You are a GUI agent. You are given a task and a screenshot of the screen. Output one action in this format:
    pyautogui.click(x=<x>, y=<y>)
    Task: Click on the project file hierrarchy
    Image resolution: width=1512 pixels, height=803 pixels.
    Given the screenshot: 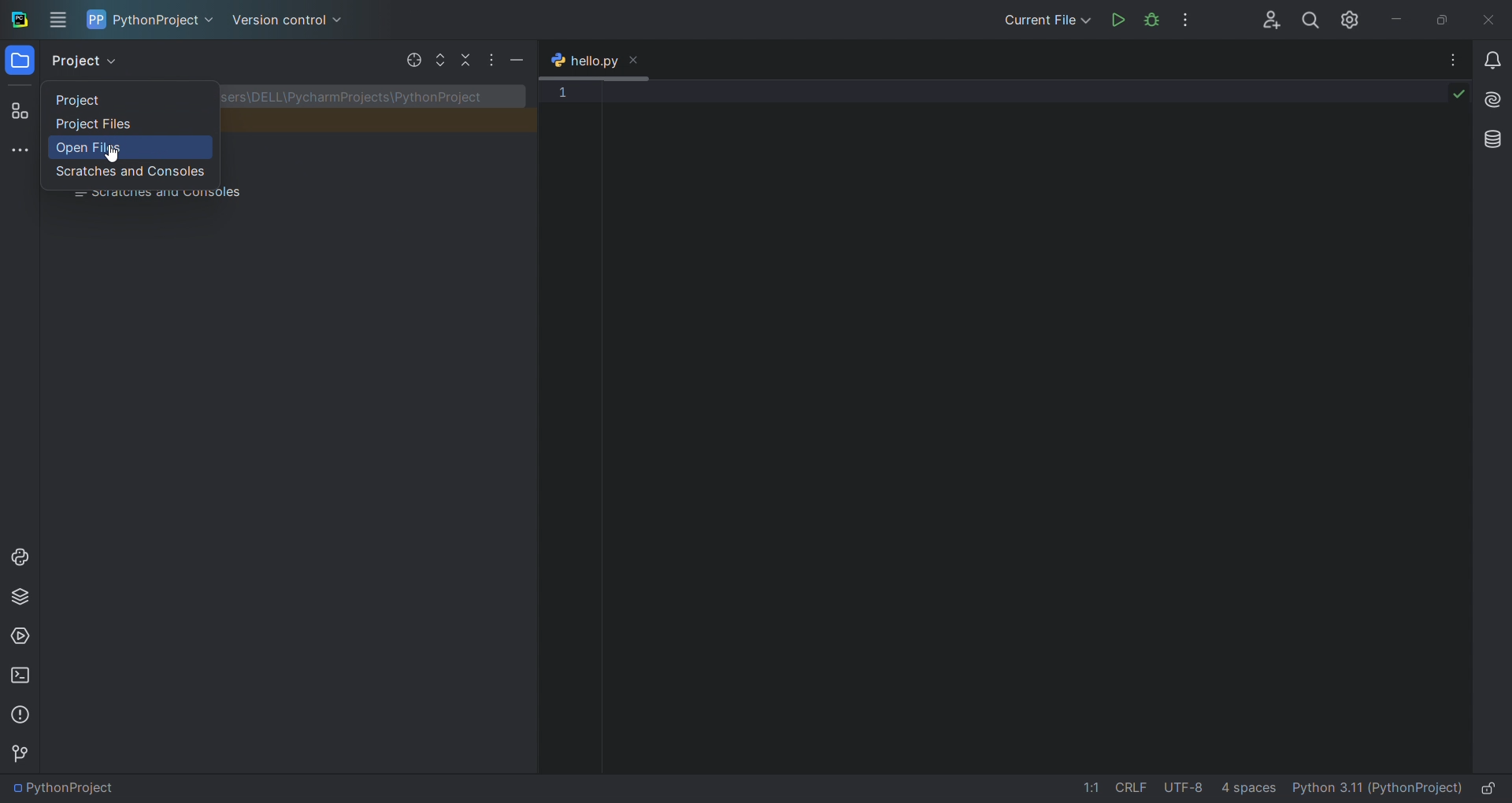 What is the action you would take?
    pyautogui.click(x=372, y=207)
    